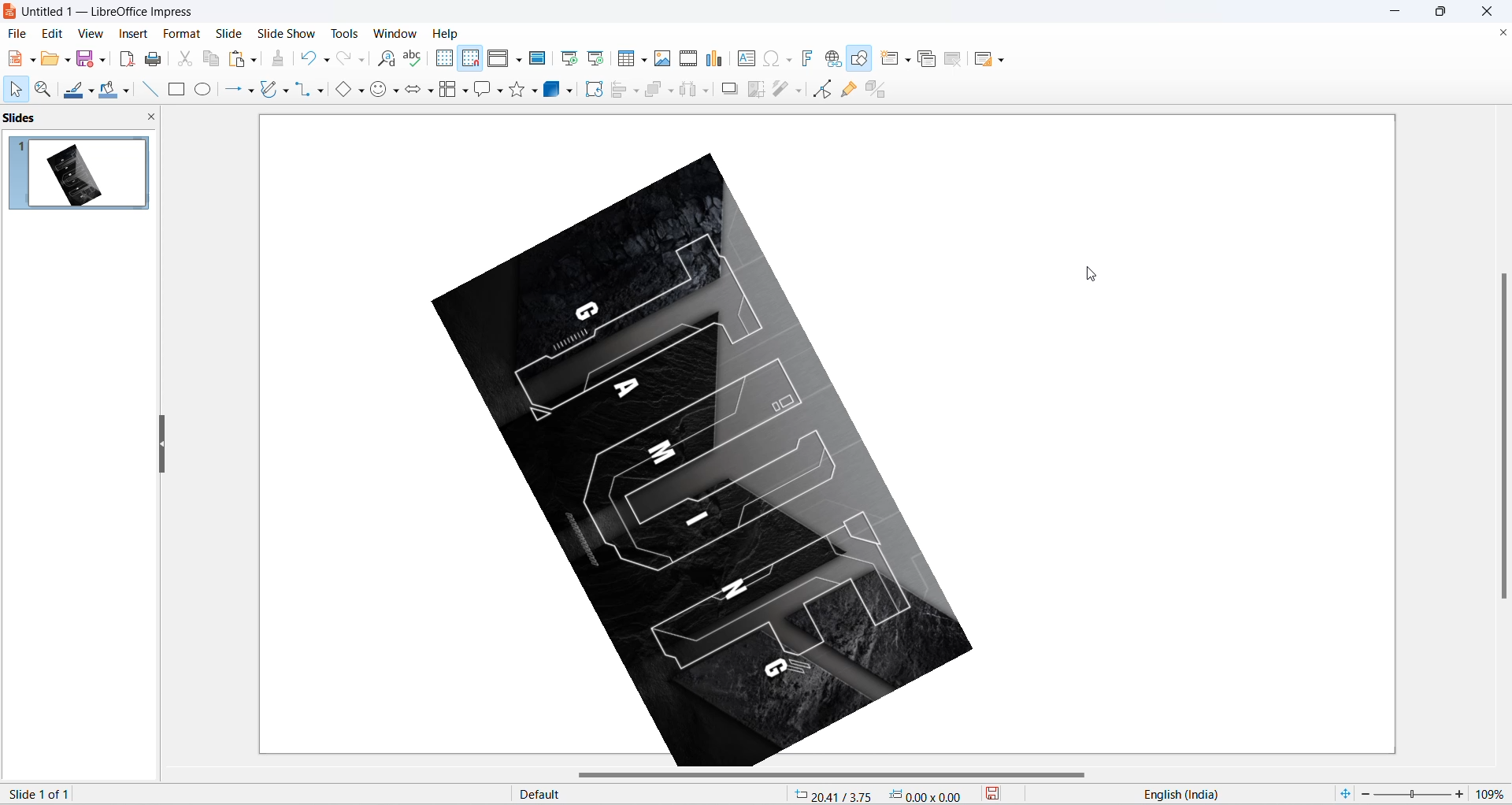  What do you see at coordinates (303, 90) in the screenshot?
I see `connectors` at bounding box center [303, 90].